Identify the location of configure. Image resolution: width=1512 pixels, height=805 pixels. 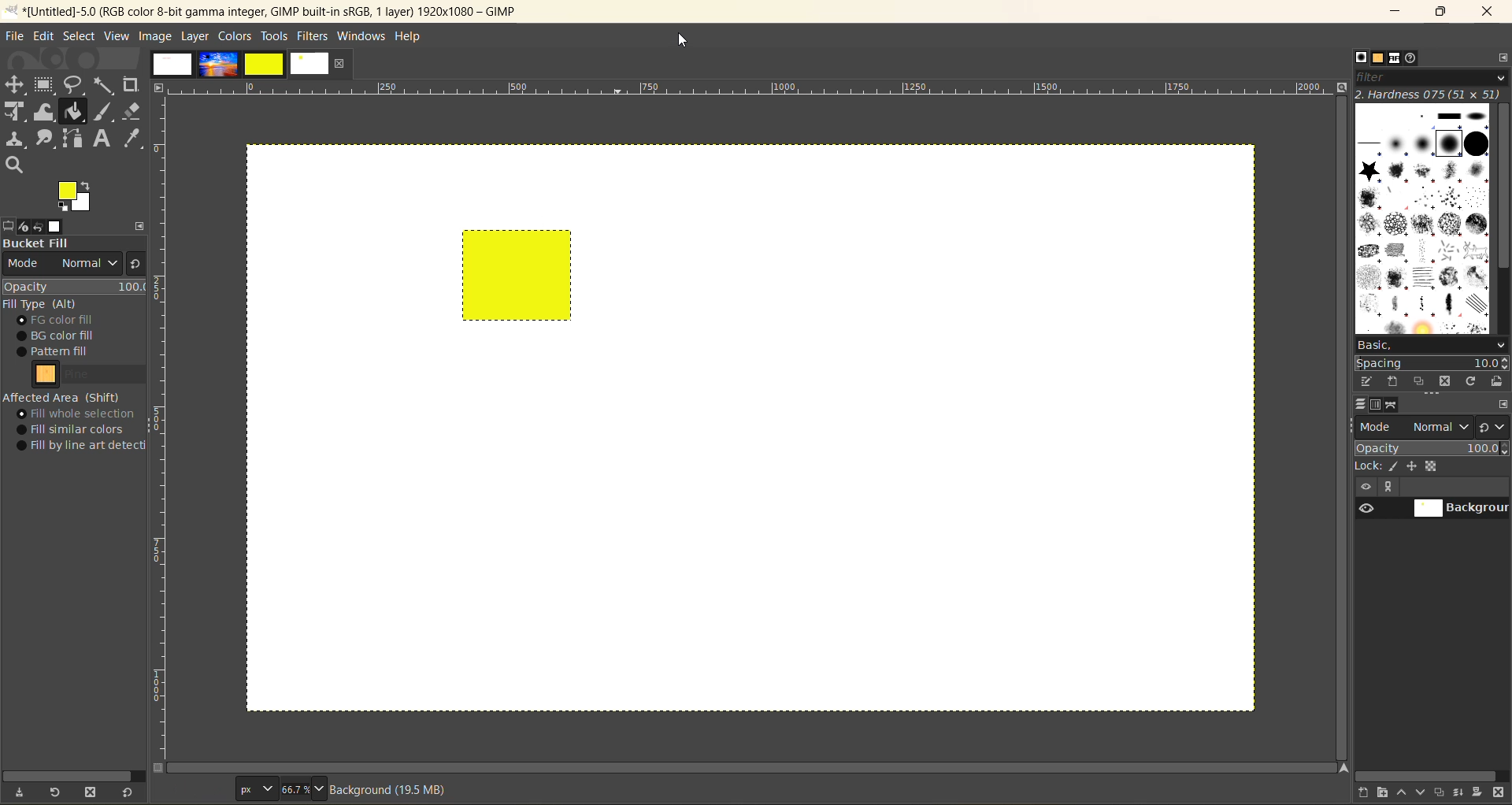
(1502, 406).